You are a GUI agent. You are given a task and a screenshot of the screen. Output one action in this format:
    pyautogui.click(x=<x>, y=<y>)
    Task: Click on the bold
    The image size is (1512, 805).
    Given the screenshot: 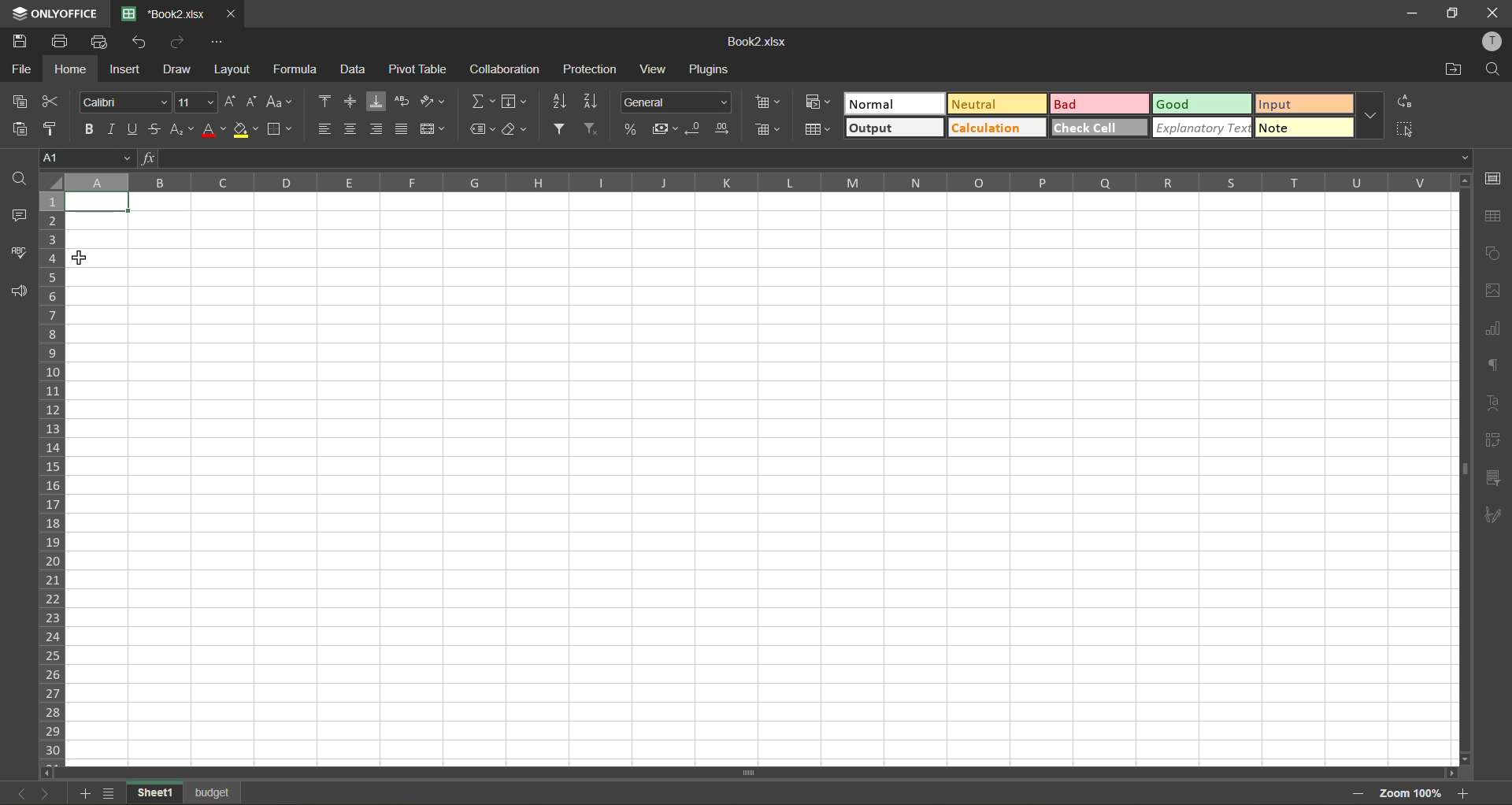 What is the action you would take?
    pyautogui.click(x=90, y=128)
    